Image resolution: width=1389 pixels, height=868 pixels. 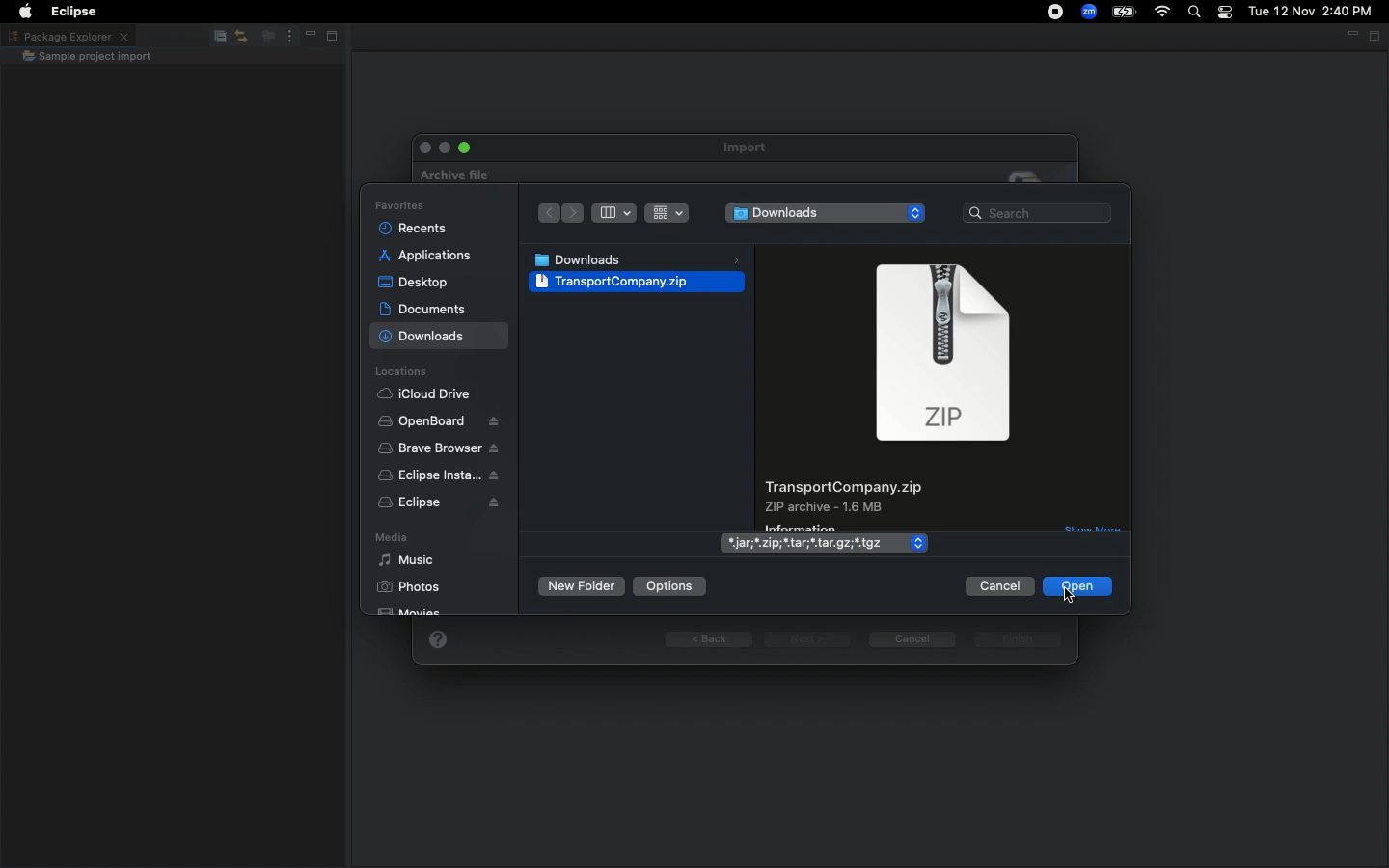 What do you see at coordinates (1223, 13) in the screenshot?
I see `control centre` at bounding box center [1223, 13].